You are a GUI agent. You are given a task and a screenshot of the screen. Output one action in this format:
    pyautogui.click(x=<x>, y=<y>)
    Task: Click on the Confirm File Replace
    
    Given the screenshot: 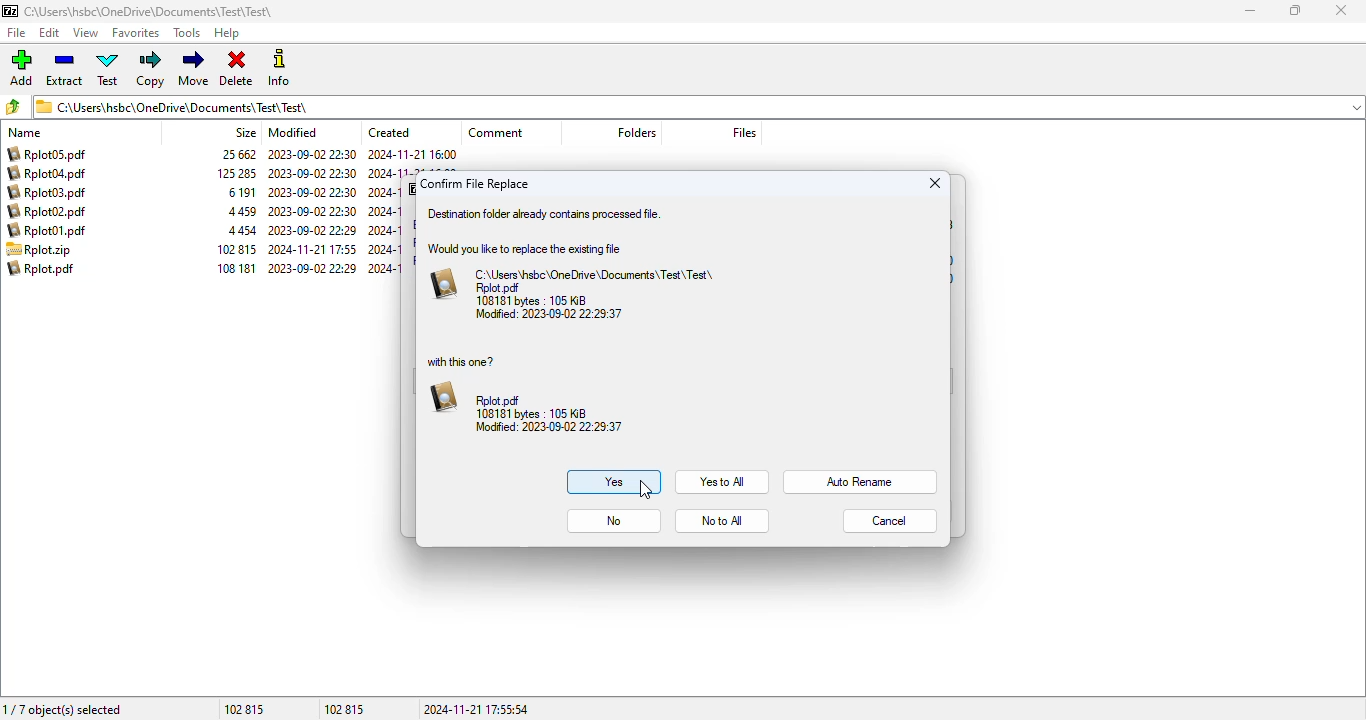 What is the action you would take?
    pyautogui.click(x=480, y=183)
    